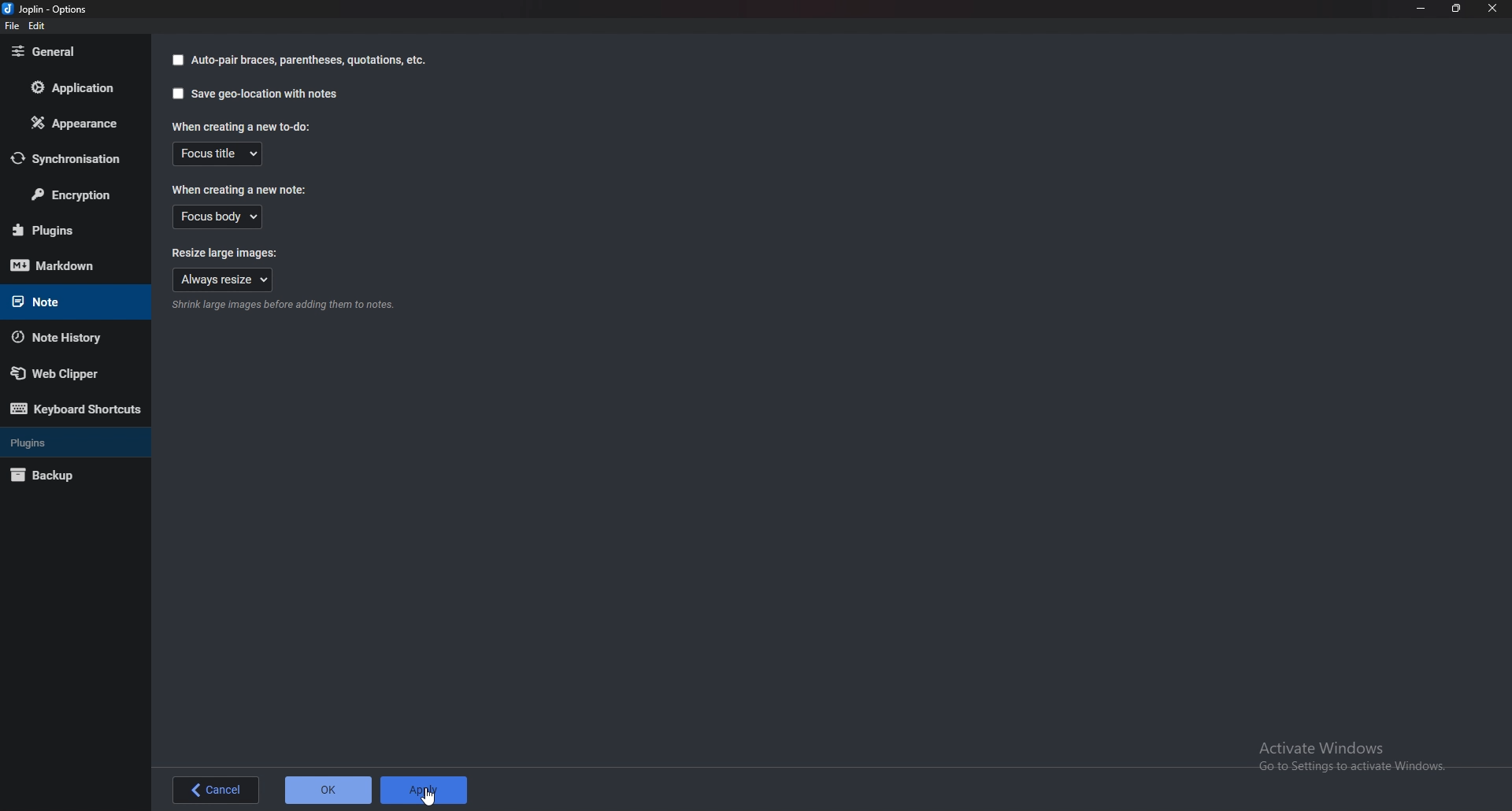 The height and width of the screenshot is (811, 1512). Describe the element at coordinates (219, 217) in the screenshot. I see `Focus body` at that location.